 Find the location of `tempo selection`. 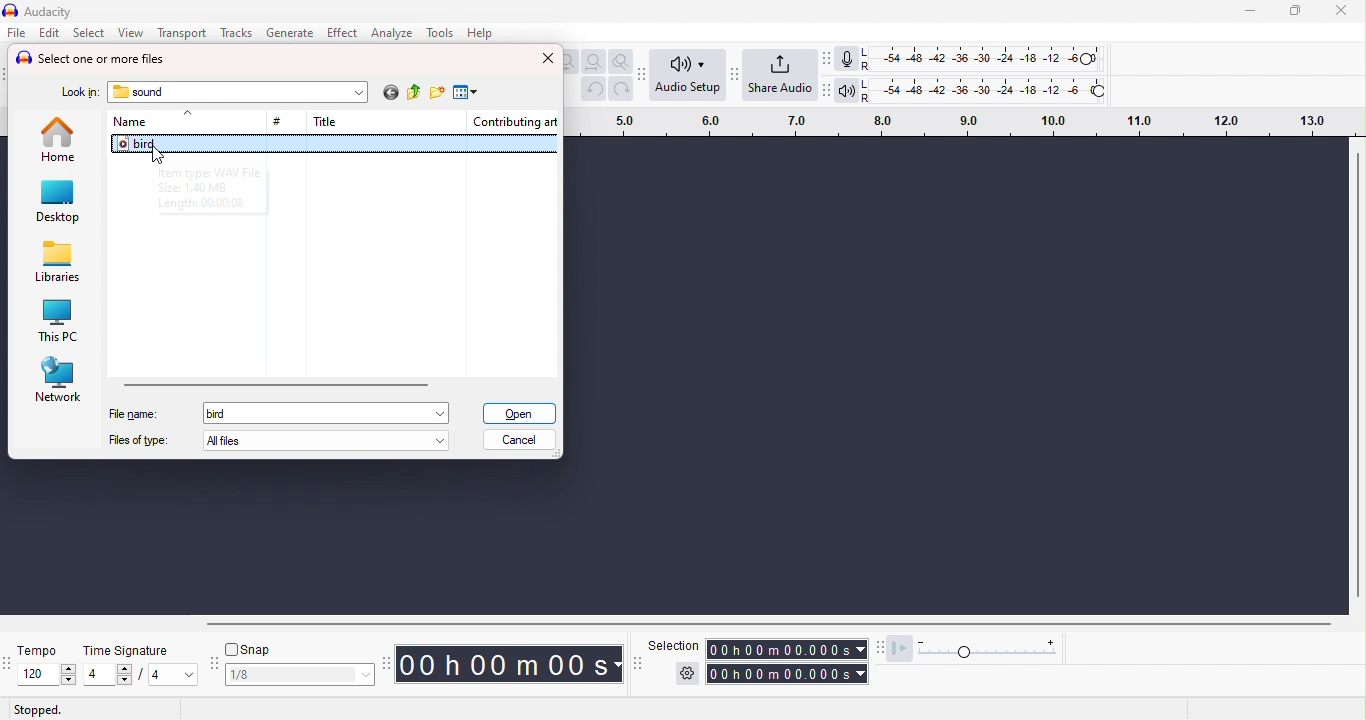

tempo selection is located at coordinates (39, 674).